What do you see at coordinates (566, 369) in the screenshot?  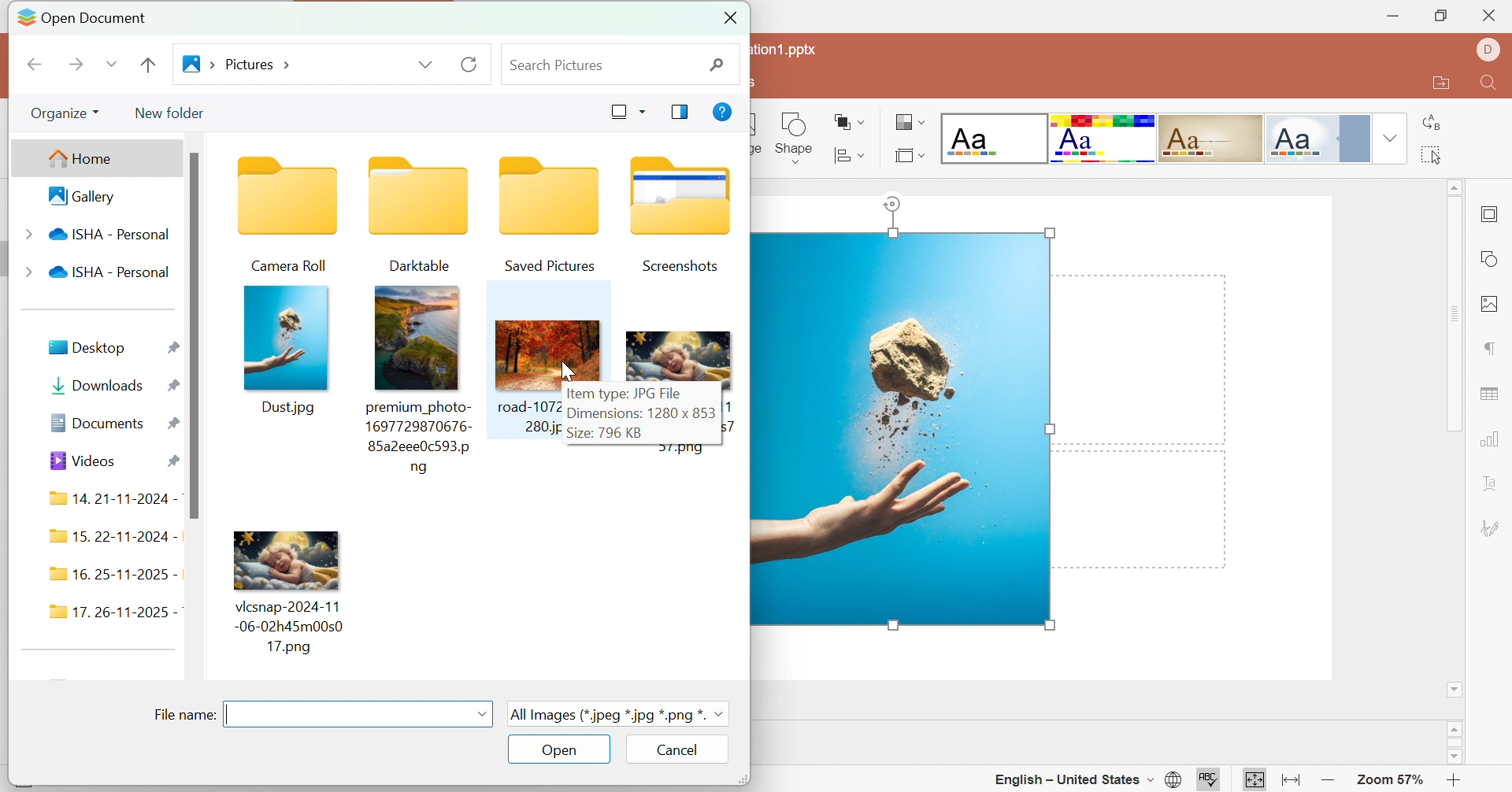 I see `cursor` at bounding box center [566, 369].